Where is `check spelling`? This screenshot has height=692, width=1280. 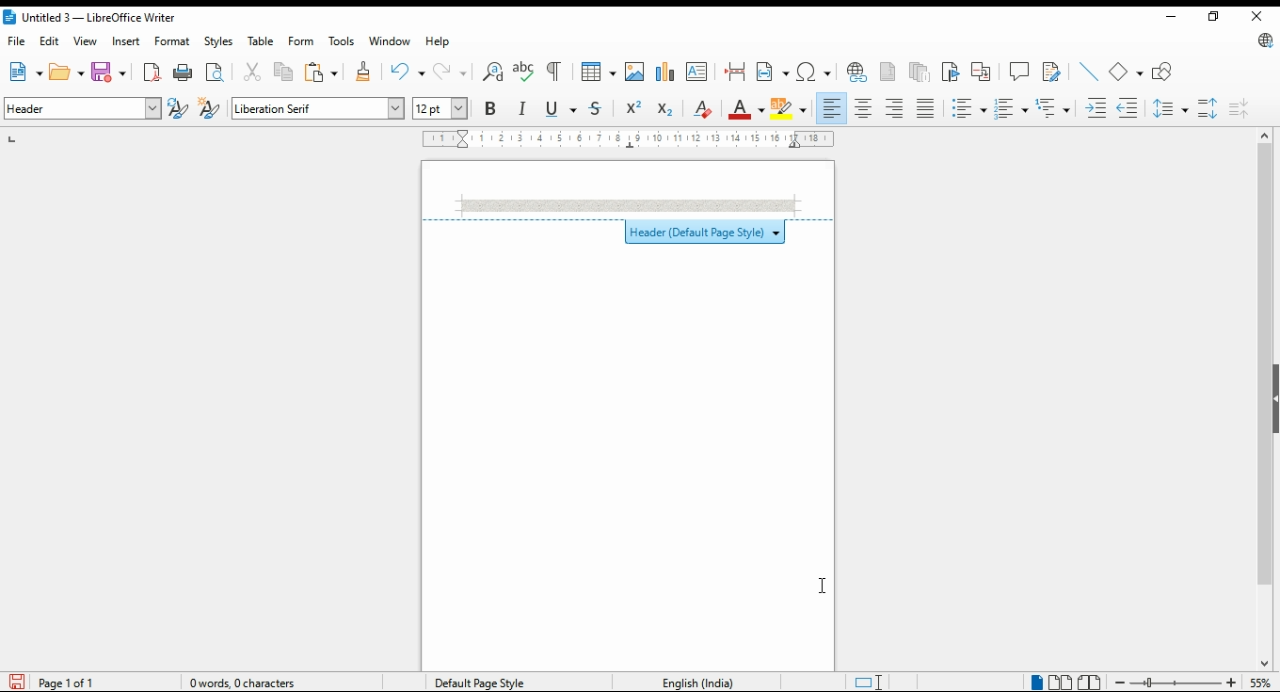
check spelling is located at coordinates (524, 72).